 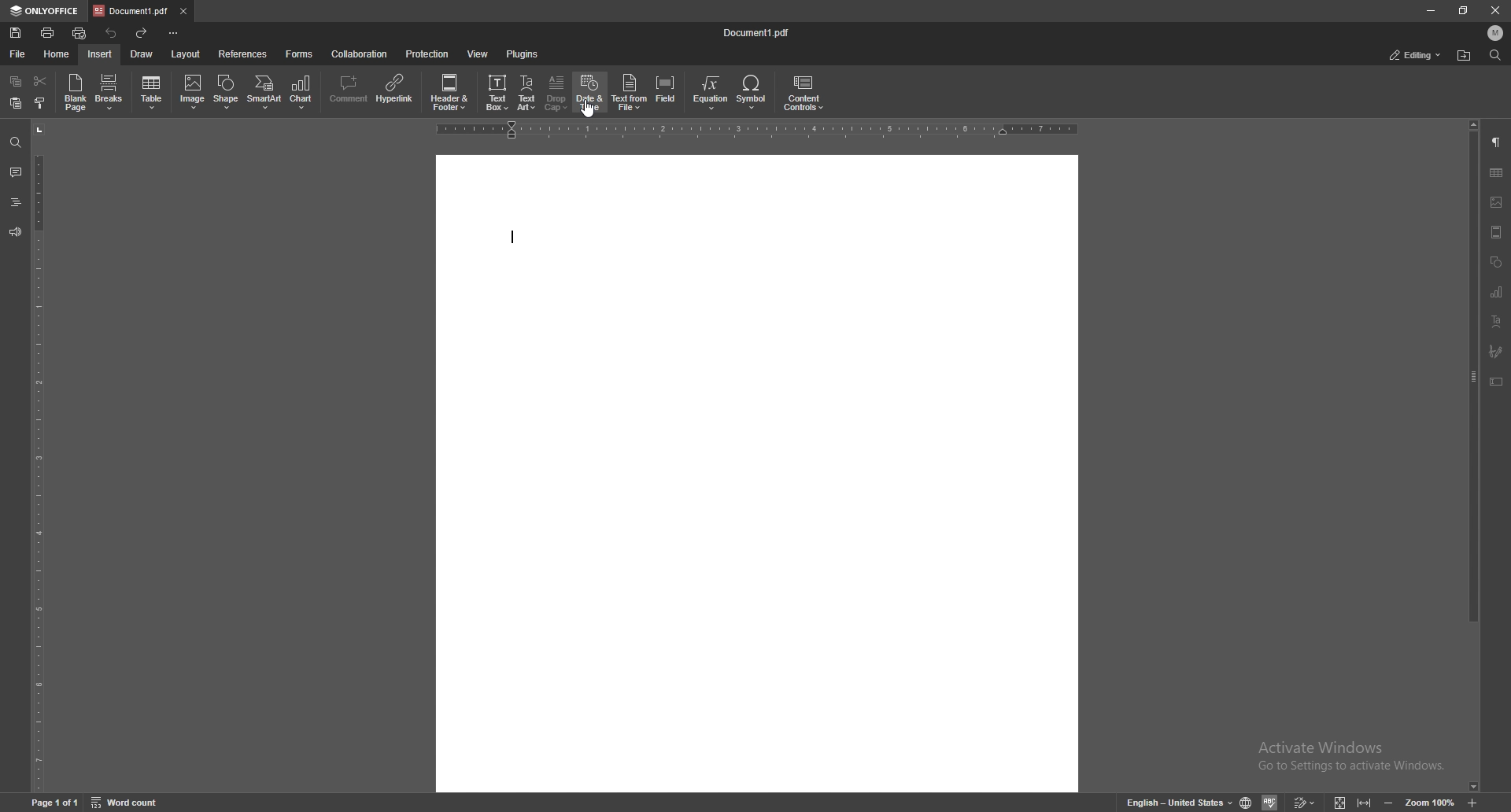 I want to click on text from file, so click(x=630, y=91).